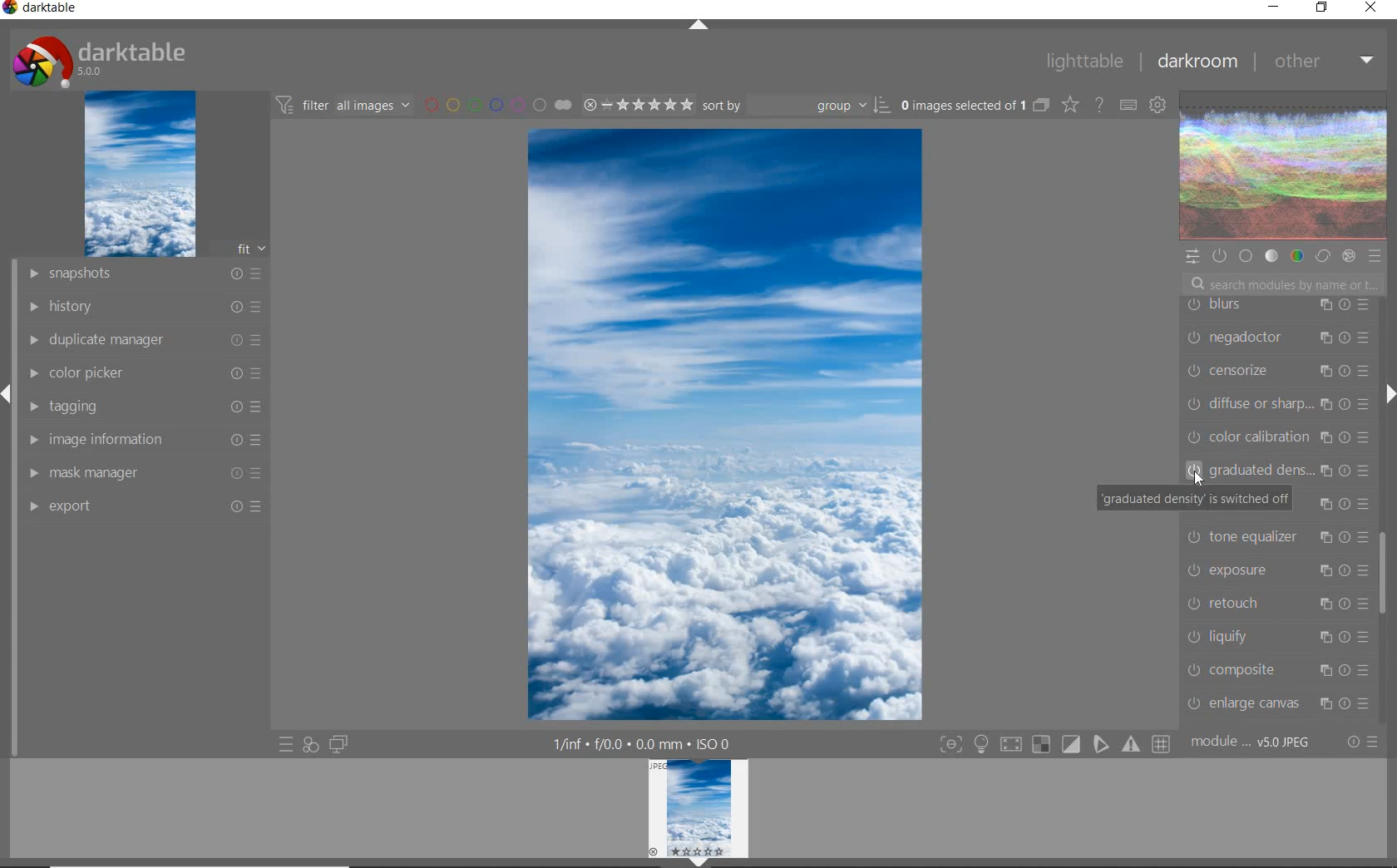 The width and height of the screenshot is (1397, 868). What do you see at coordinates (1279, 306) in the screenshot?
I see `Blur` at bounding box center [1279, 306].